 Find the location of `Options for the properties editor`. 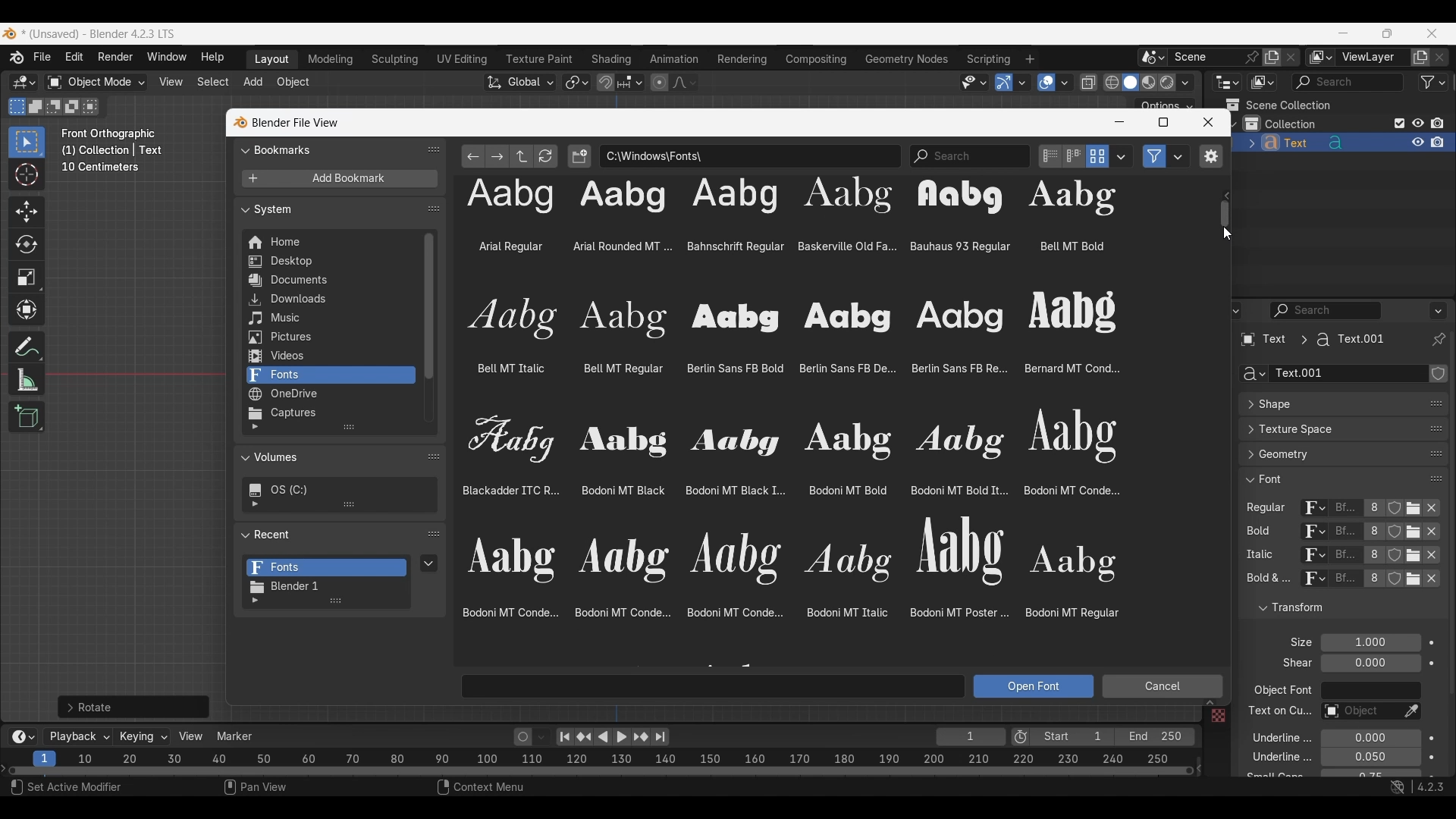

Options for the properties editor is located at coordinates (1439, 310).